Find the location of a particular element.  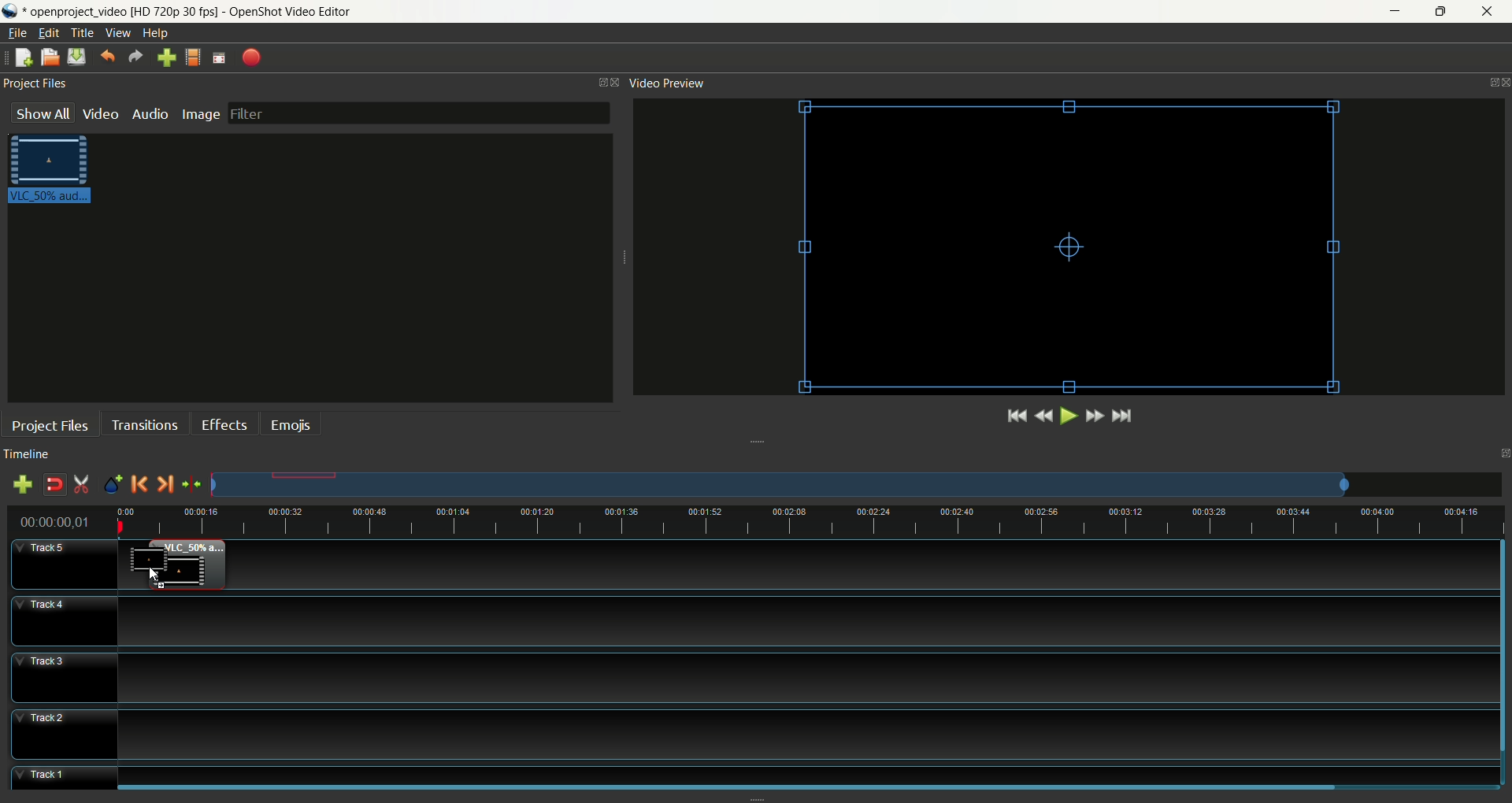

track3 is located at coordinates (755, 678).